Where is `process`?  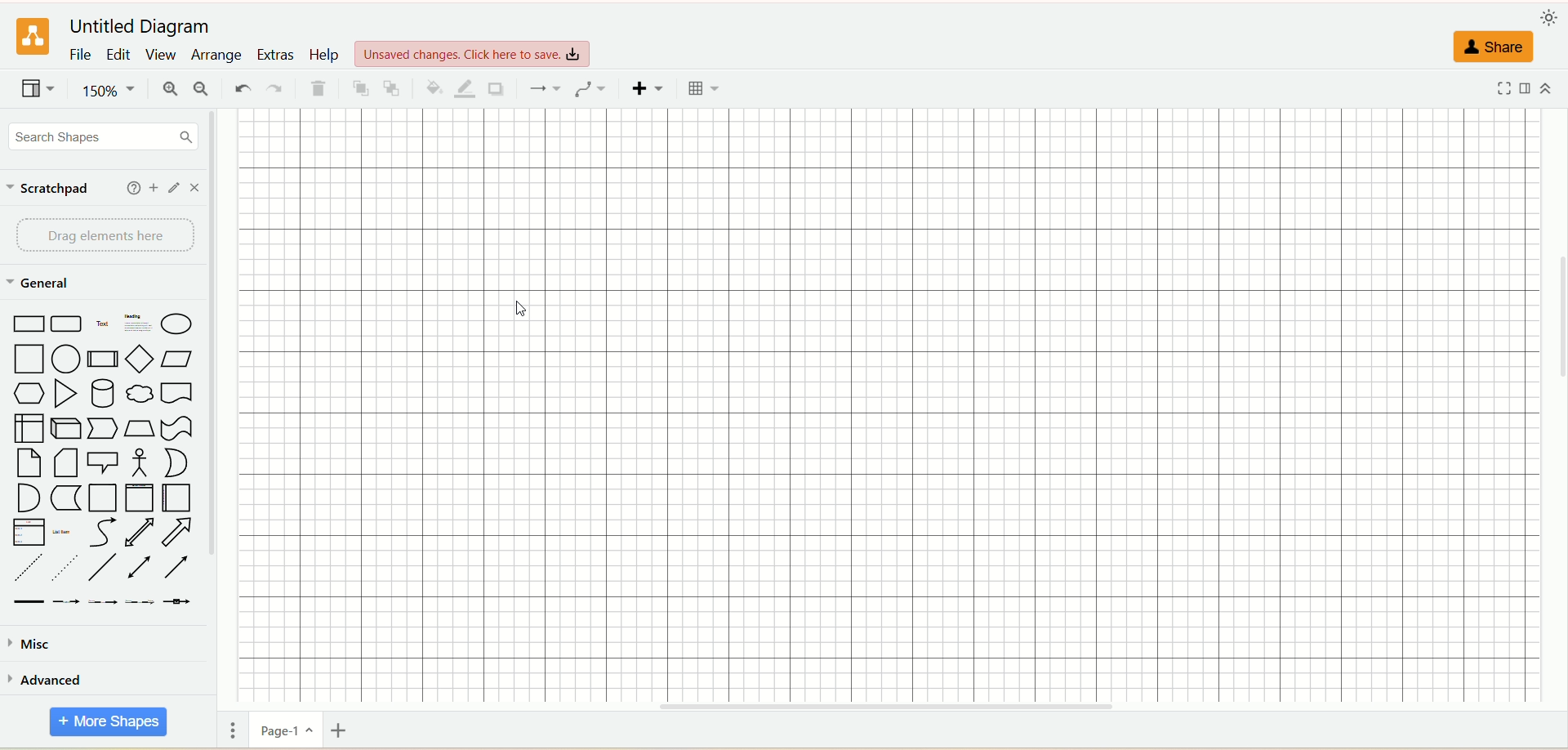
process is located at coordinates (102, 358).